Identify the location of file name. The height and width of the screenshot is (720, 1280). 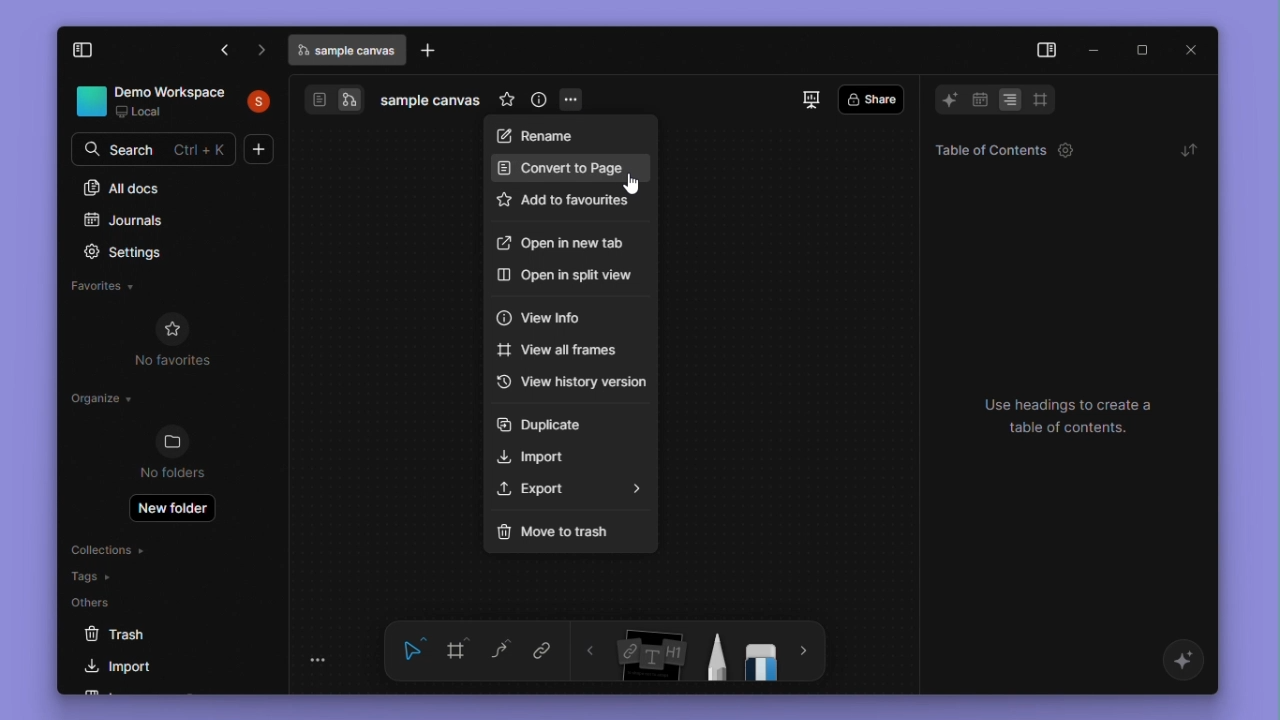
(348, 50).